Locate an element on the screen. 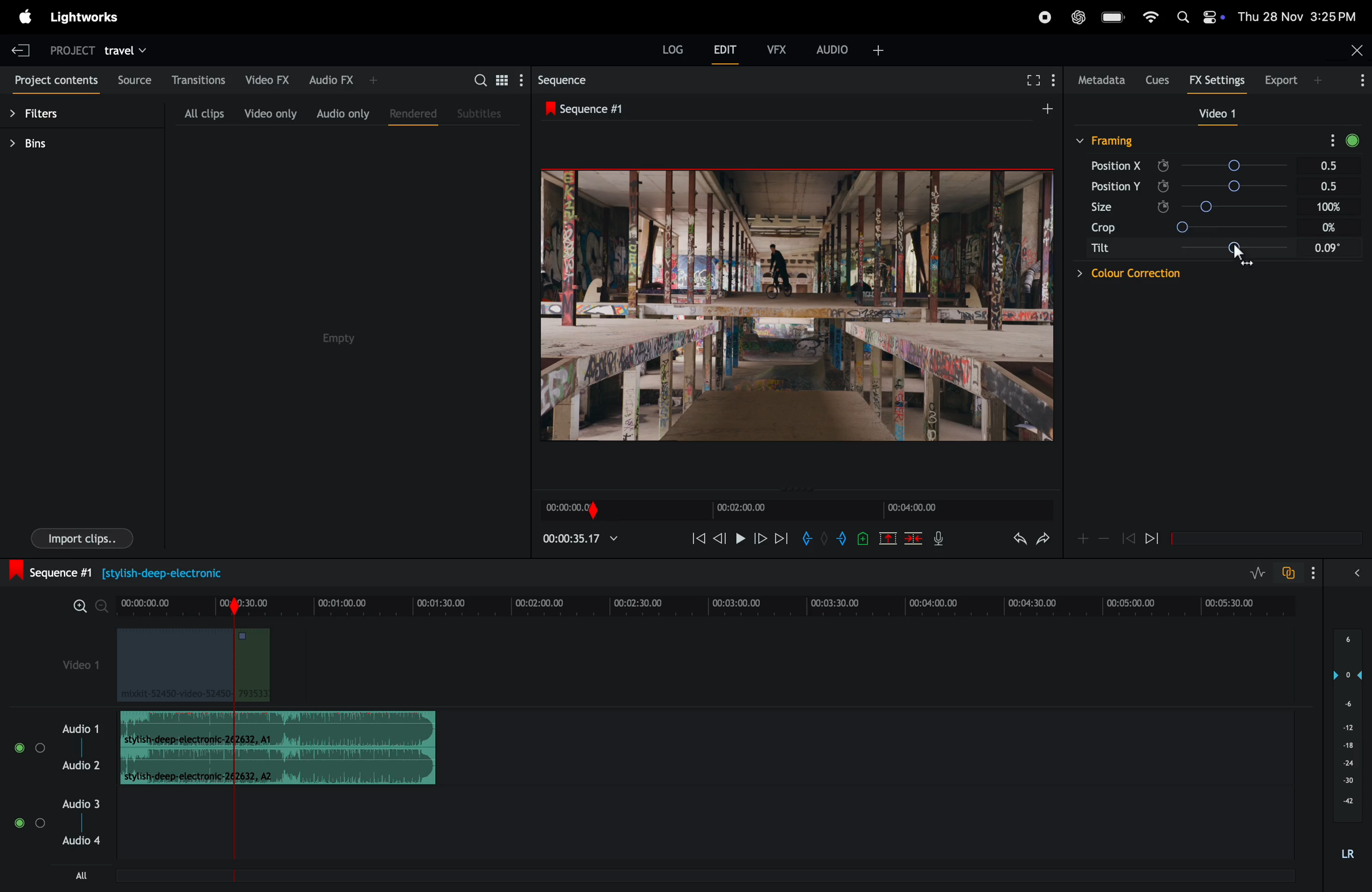  apple widgets is located at coordinates (1197, 18).